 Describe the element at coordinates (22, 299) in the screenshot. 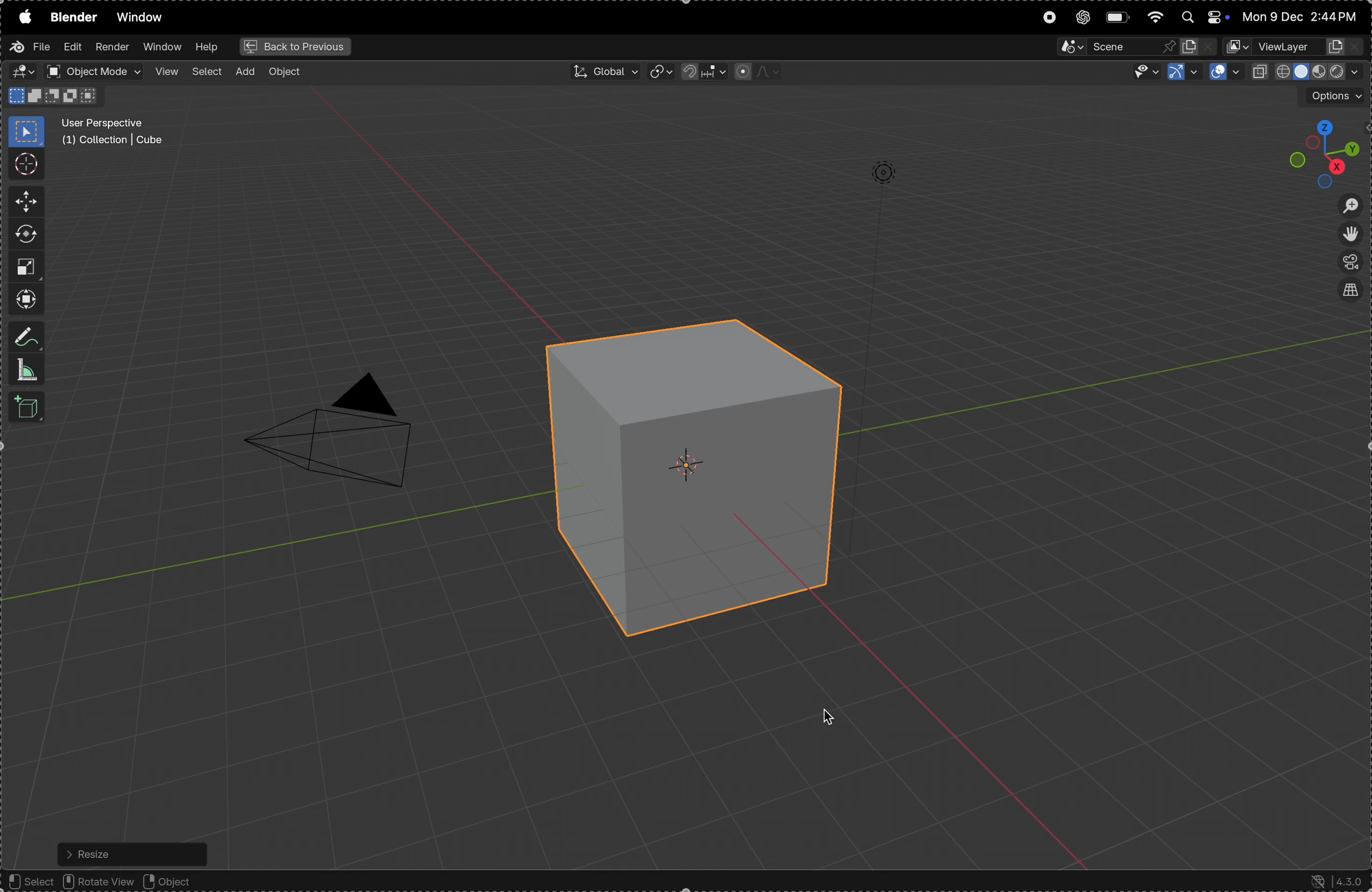

I see `trasnform` at that location.